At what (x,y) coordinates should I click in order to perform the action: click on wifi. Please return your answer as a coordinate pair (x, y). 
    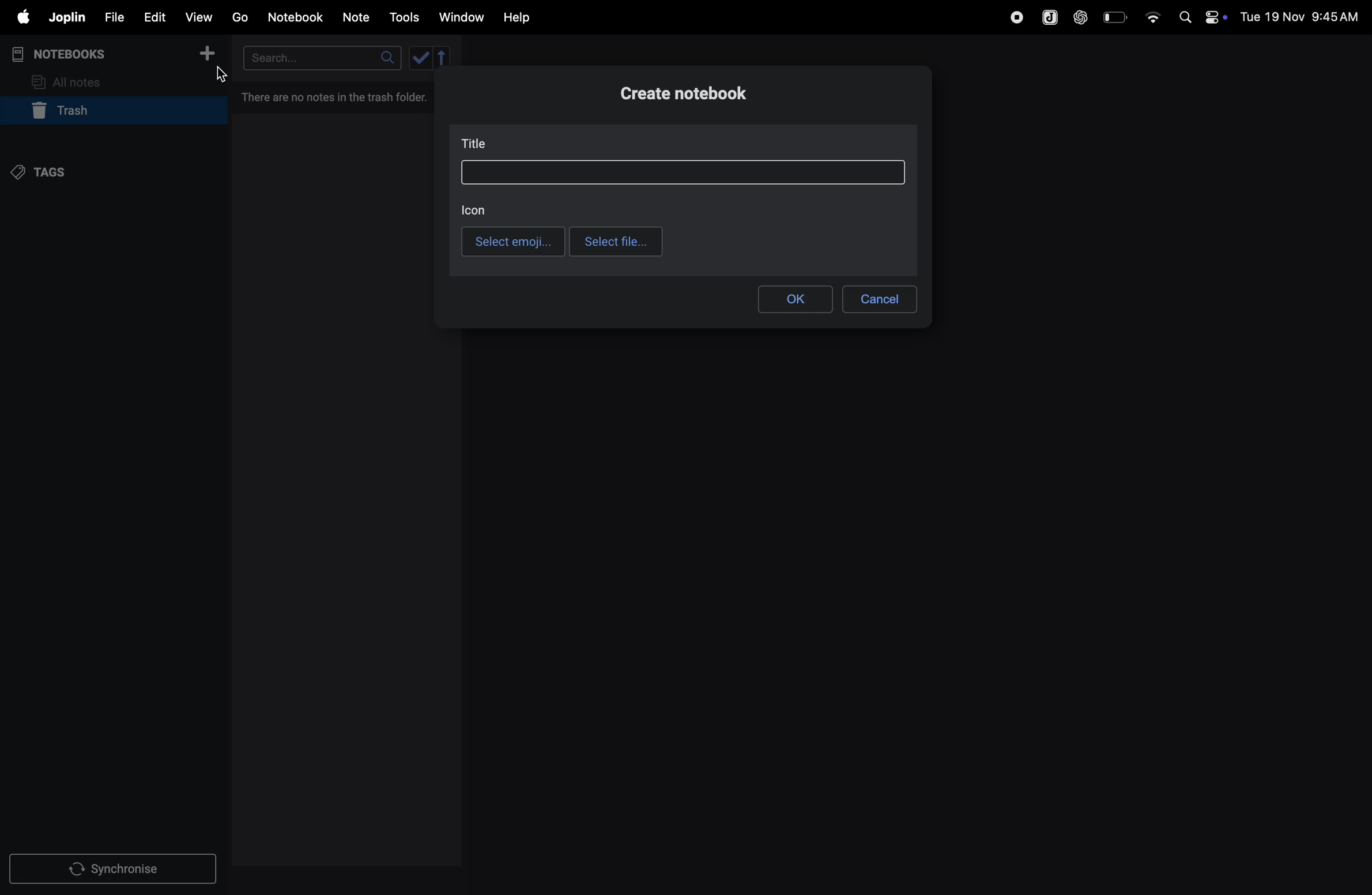
    Looking at the image, I should click on (1152, 13).